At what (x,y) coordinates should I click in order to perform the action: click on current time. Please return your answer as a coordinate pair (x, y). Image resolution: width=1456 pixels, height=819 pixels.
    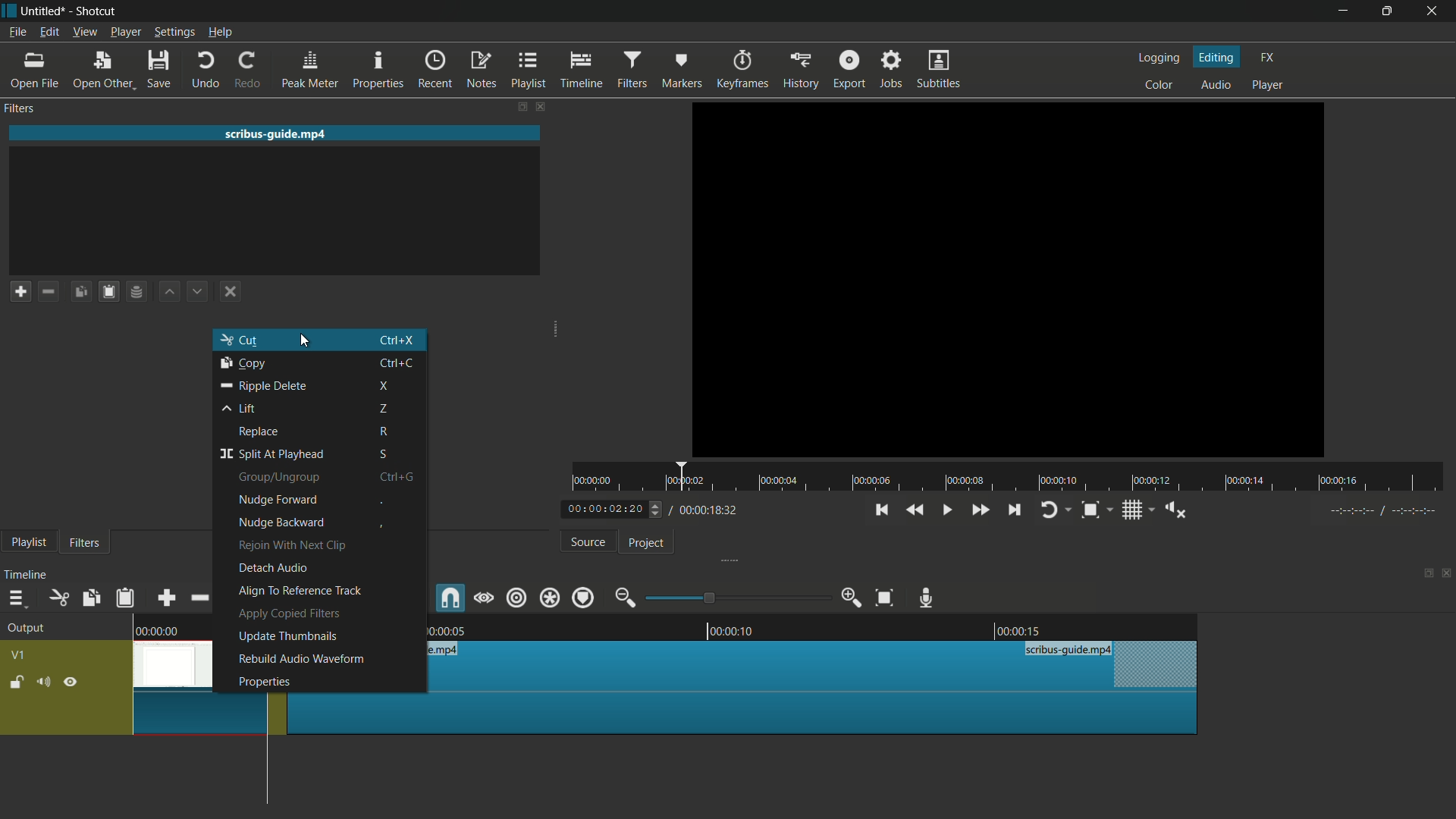
    Looking at the image, I should click on (603, 510).